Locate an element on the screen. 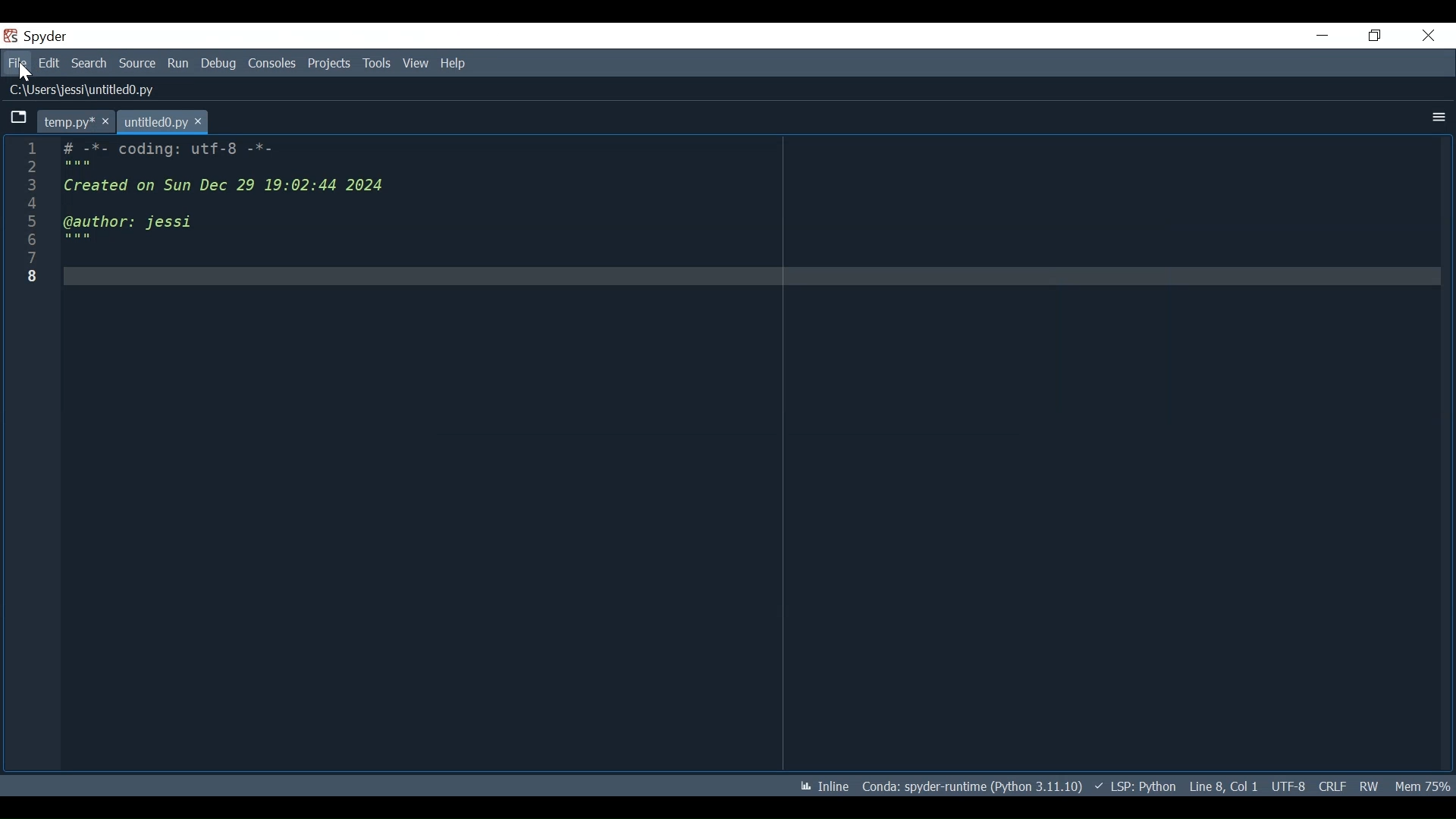  Close is located at coordinates (1428, 35).